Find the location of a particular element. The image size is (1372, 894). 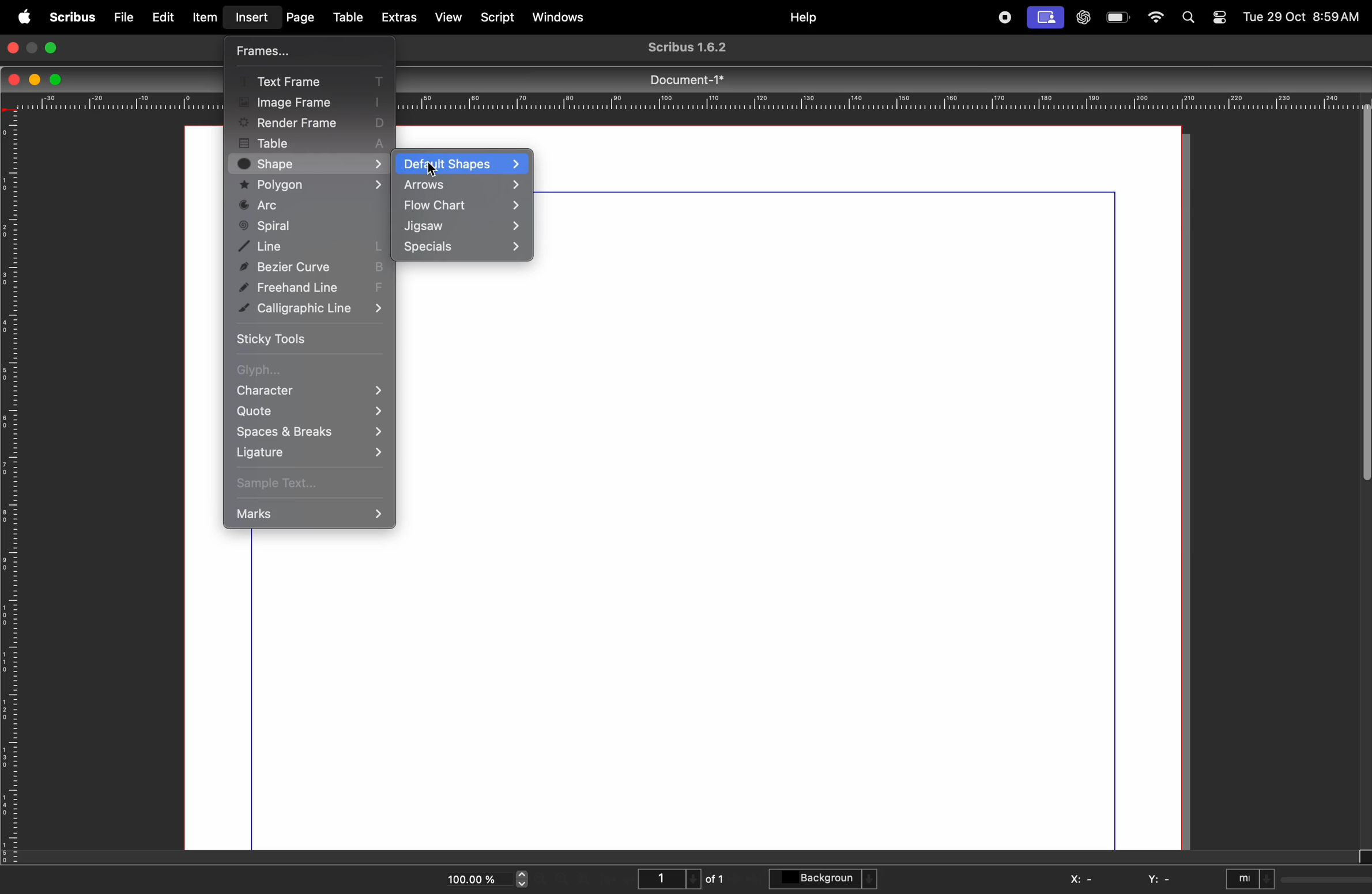

frames is located at coordinates (303, 51).